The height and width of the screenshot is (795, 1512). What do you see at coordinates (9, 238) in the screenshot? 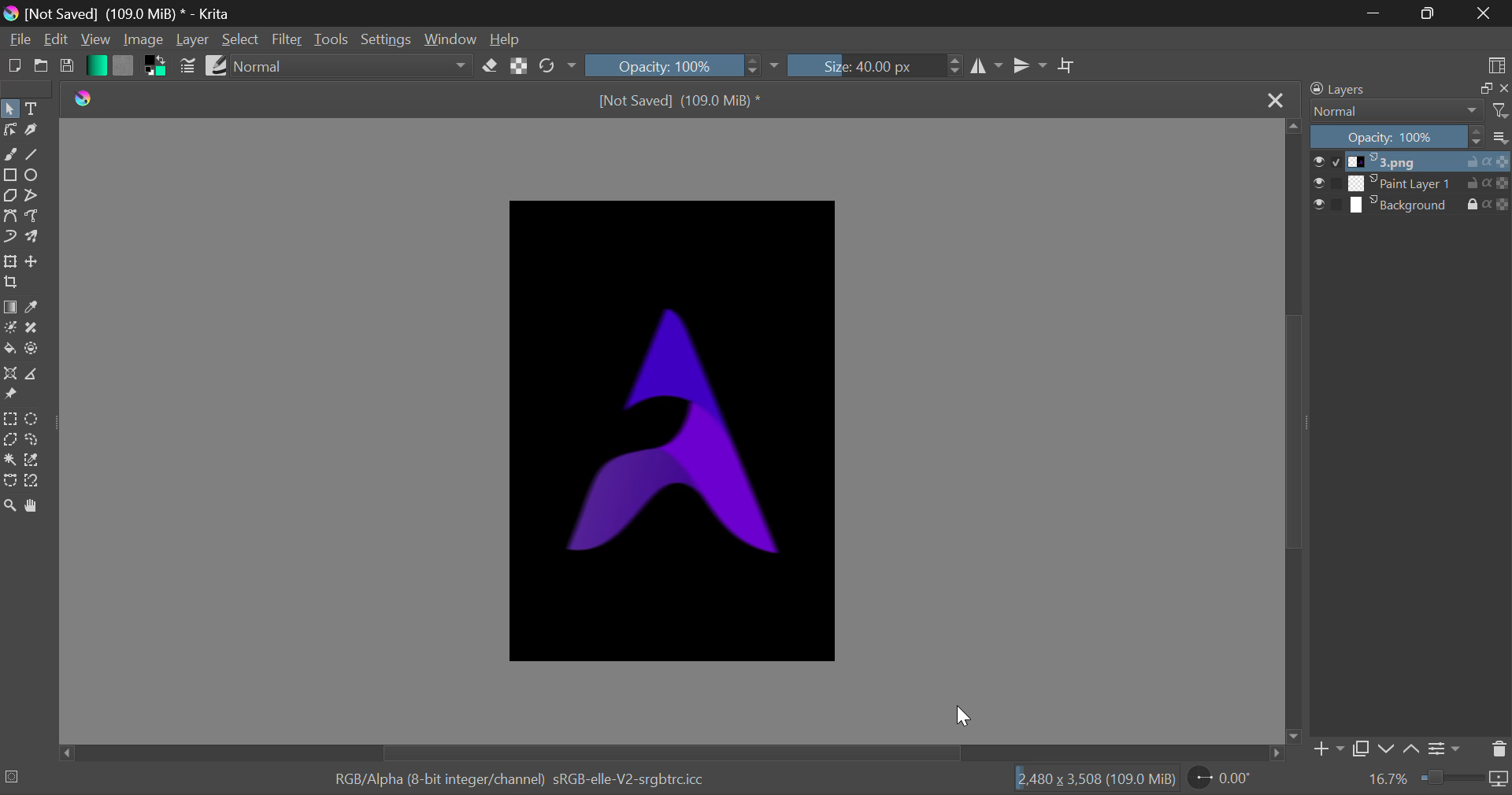
I see `Dynamic Brush` at bounding box center [9, 238].